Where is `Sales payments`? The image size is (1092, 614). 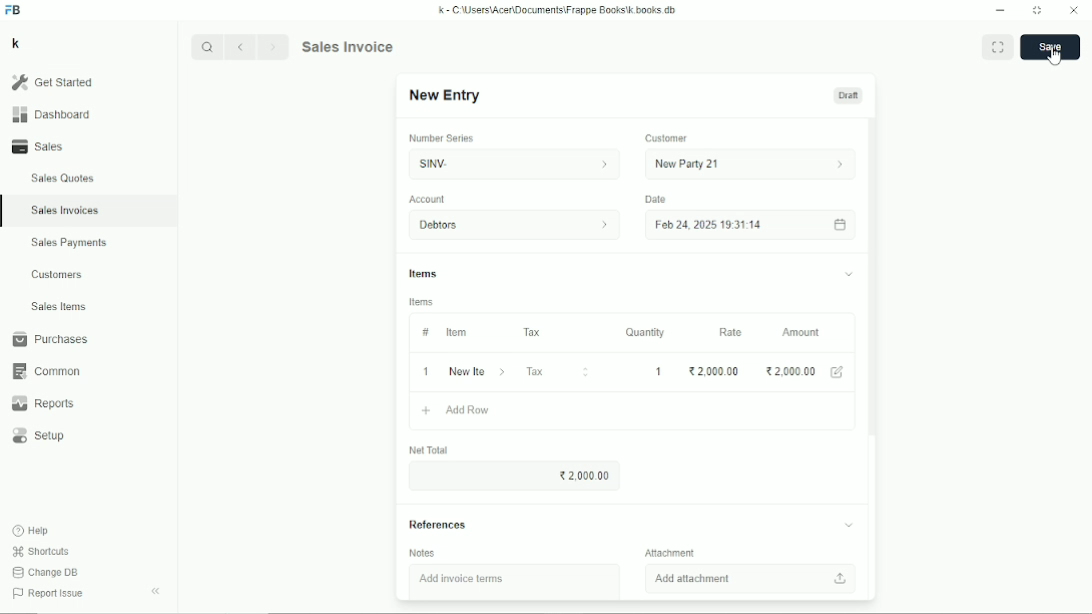 Sales payments is located at coordinates (72, 243).